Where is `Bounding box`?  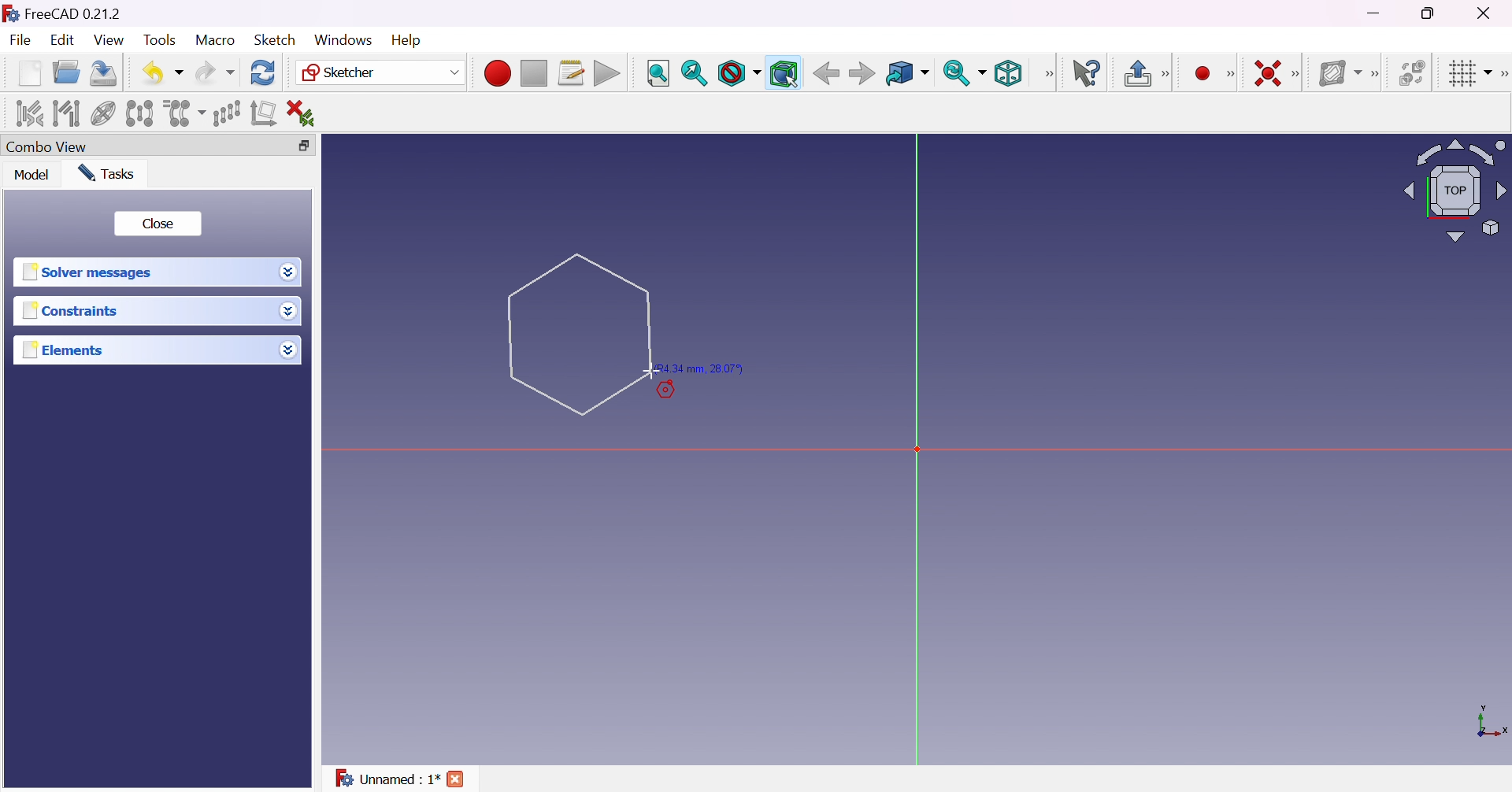
Bounding box is located at coordinates (784, 74).